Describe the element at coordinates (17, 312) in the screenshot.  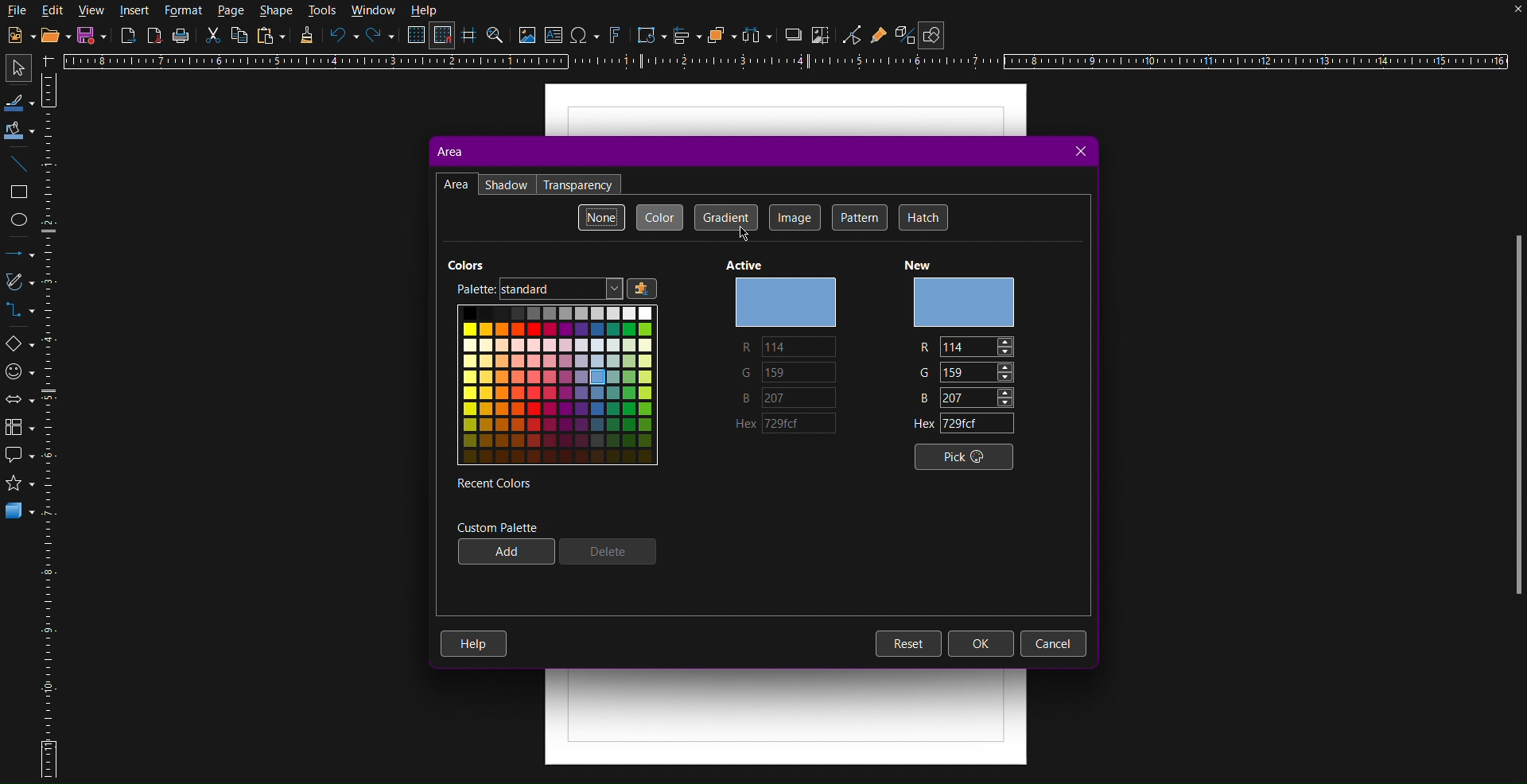
I see `Connections` at that location.